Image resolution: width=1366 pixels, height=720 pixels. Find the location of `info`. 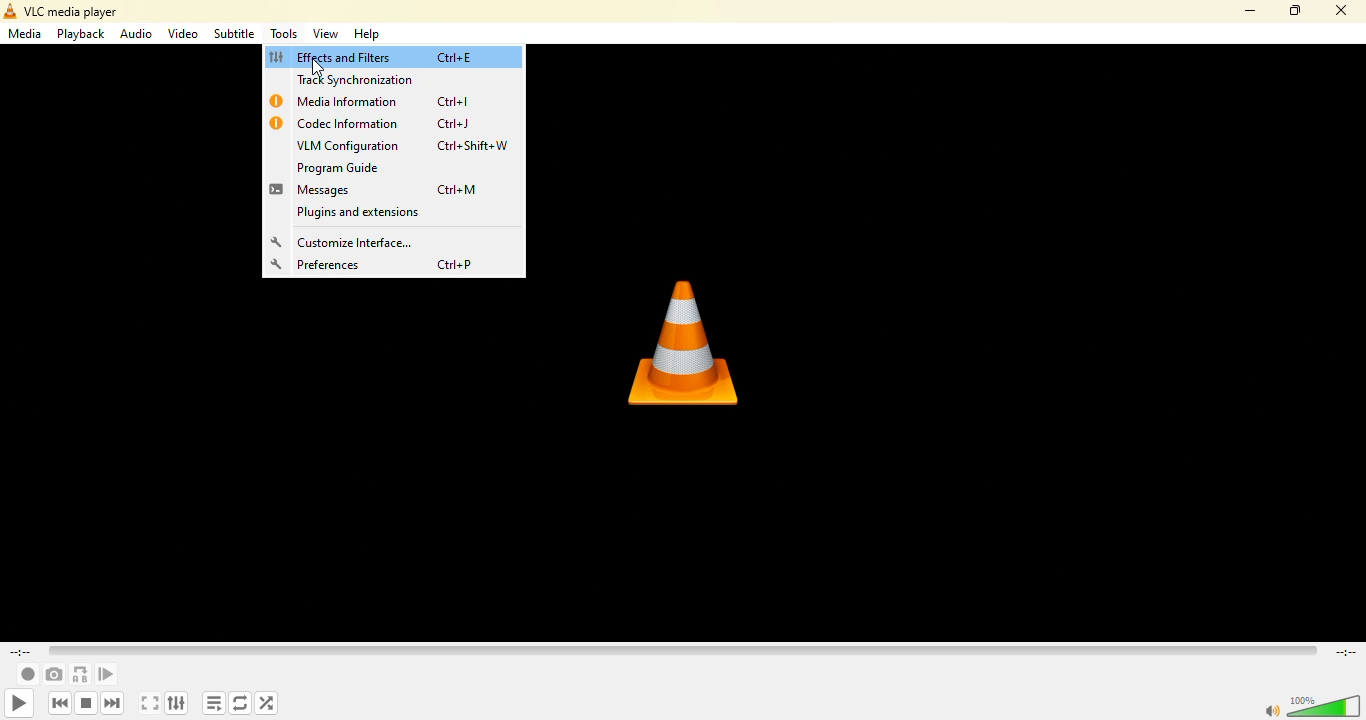

info is located at coordinates (275, 101).